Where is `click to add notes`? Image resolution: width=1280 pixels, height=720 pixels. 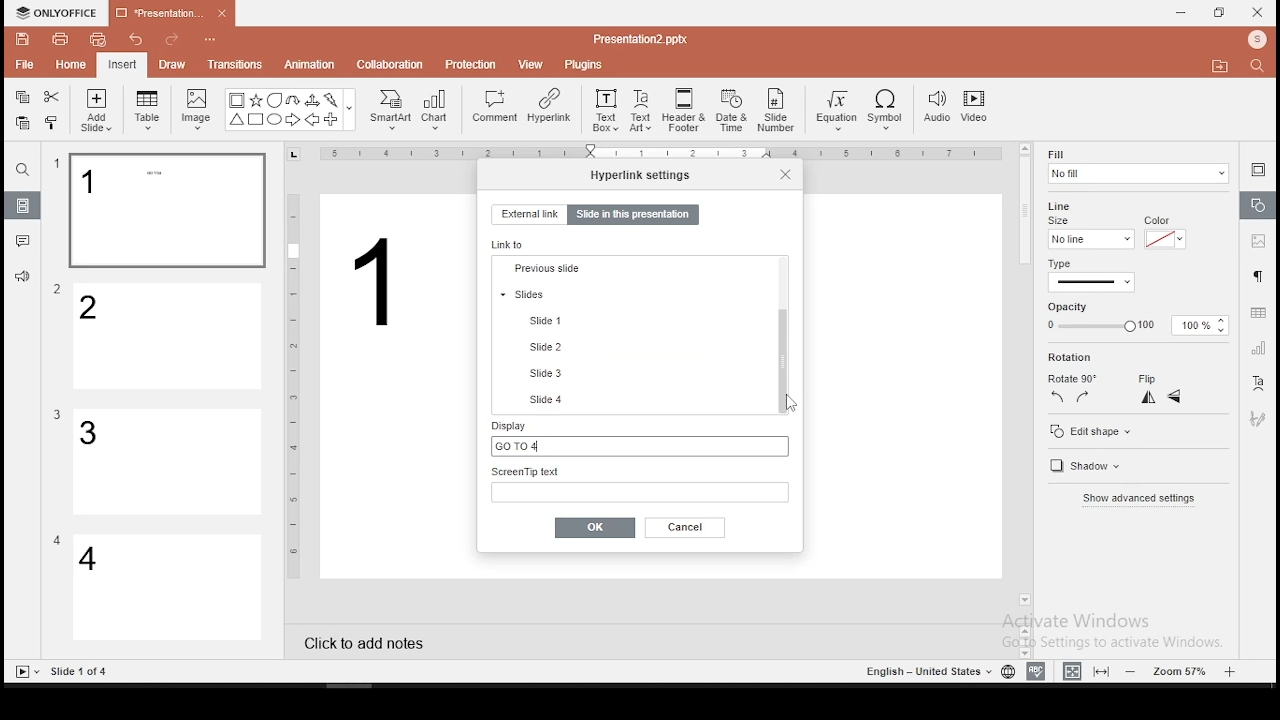 click to add notes is located at coordinates (370, 641).